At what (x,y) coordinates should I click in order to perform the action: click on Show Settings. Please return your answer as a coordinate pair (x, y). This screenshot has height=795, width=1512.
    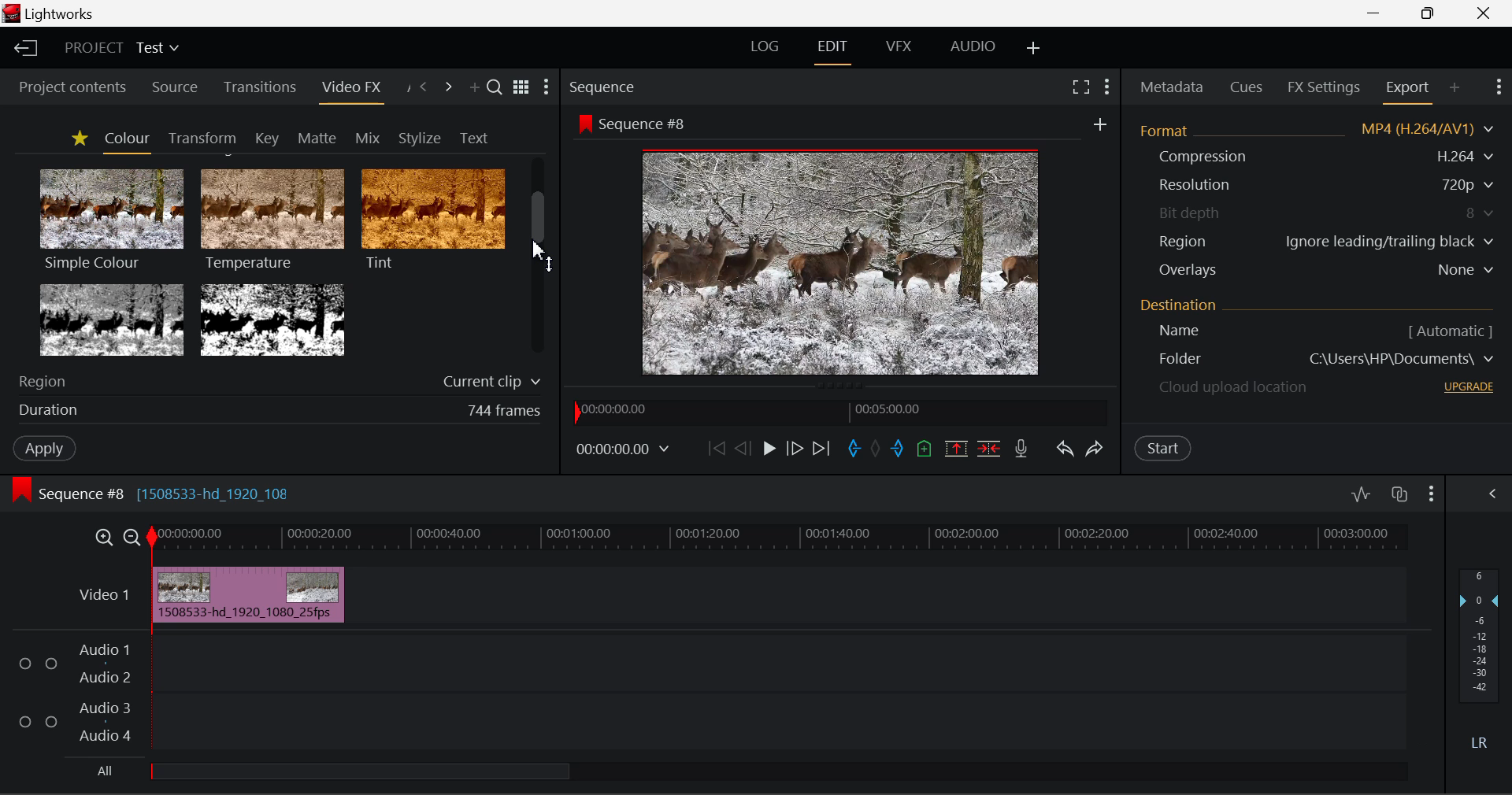
    Looking at the image, I should click on (1106, 88).